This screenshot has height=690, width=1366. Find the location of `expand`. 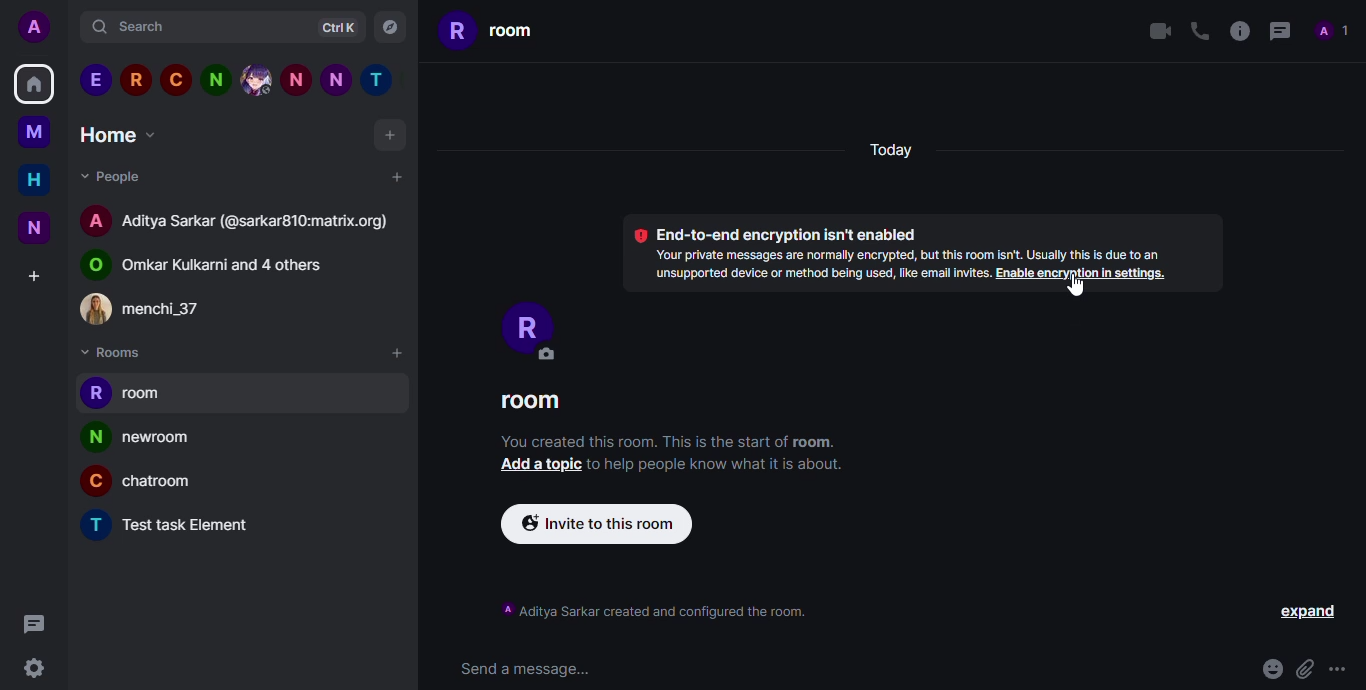

expand is located at coordinates (1304, 611).